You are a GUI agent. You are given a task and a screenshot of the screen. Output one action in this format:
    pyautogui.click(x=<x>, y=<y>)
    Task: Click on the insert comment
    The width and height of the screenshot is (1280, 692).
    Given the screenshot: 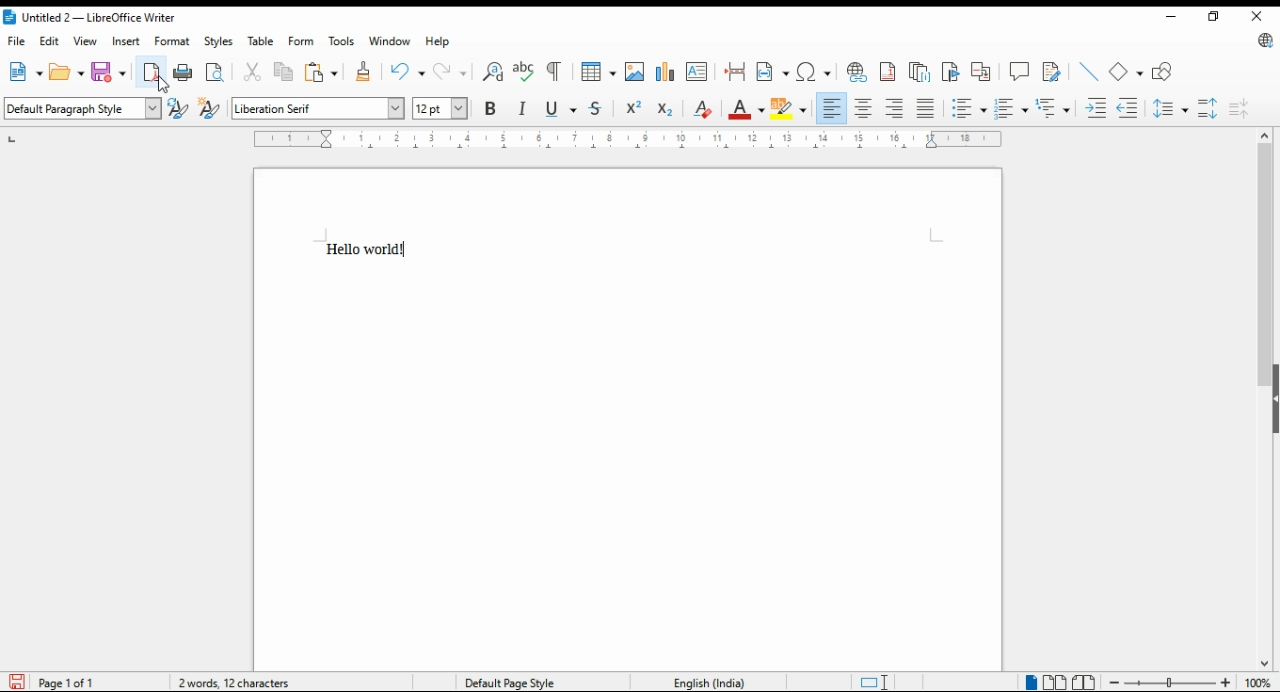 What is the action you would take?
    pyautogui.click(x=1020, y=71)
    